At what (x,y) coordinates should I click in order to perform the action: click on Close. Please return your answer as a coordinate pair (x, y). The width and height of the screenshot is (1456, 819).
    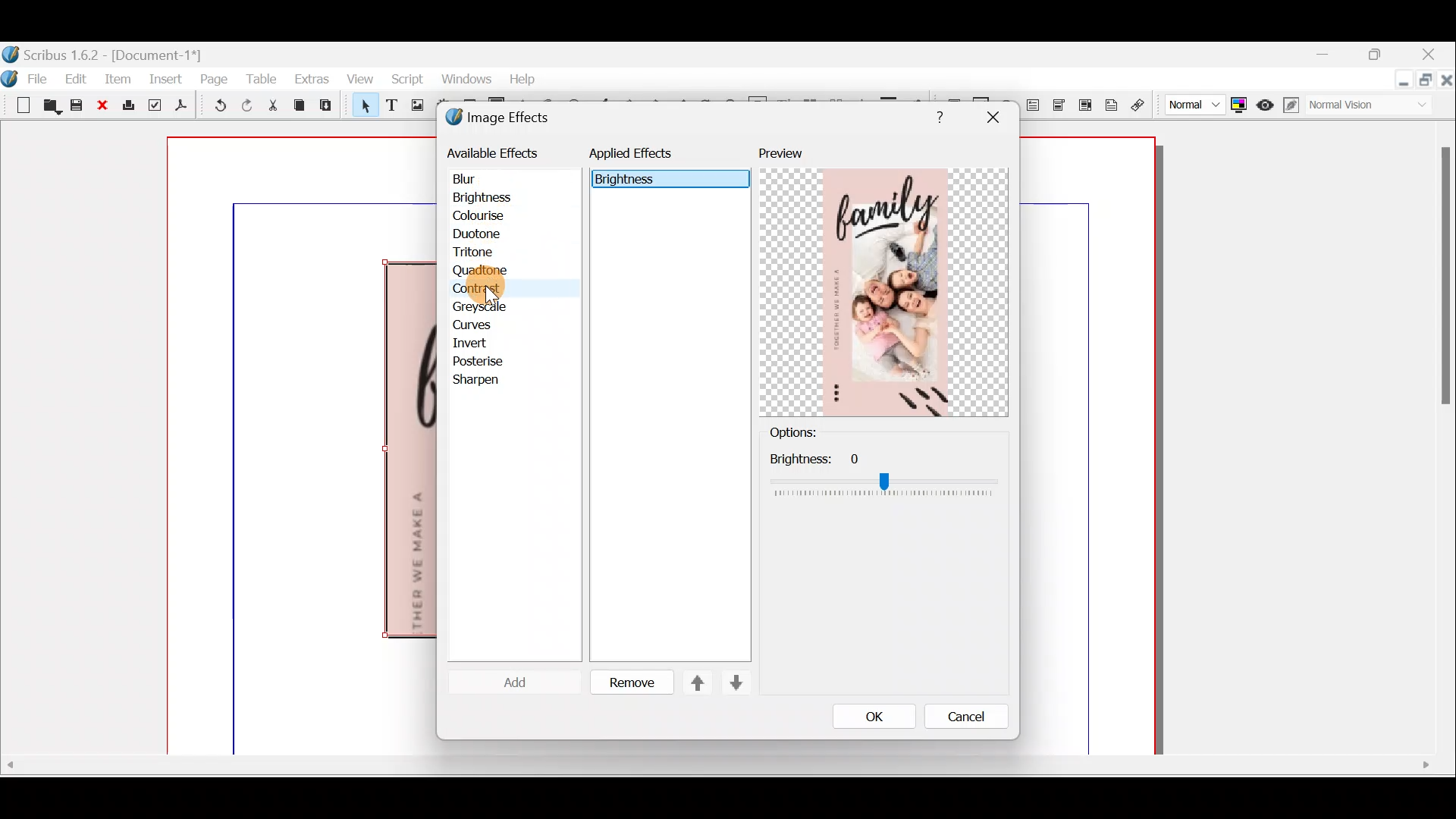
    Looking at the image, I should click on (1447, 83).